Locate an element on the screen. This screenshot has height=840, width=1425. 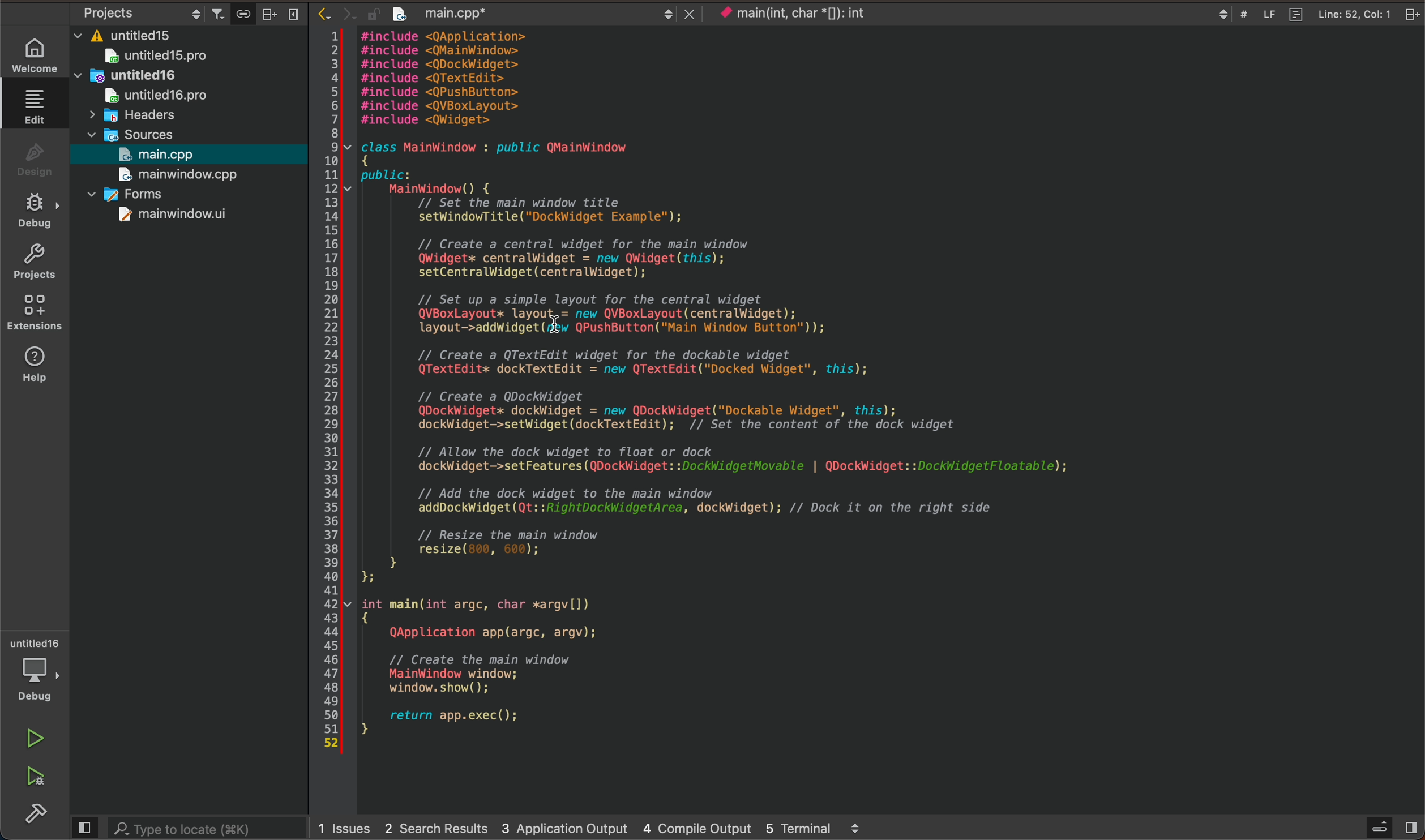
run and debug is located at coordinates (38, 776).